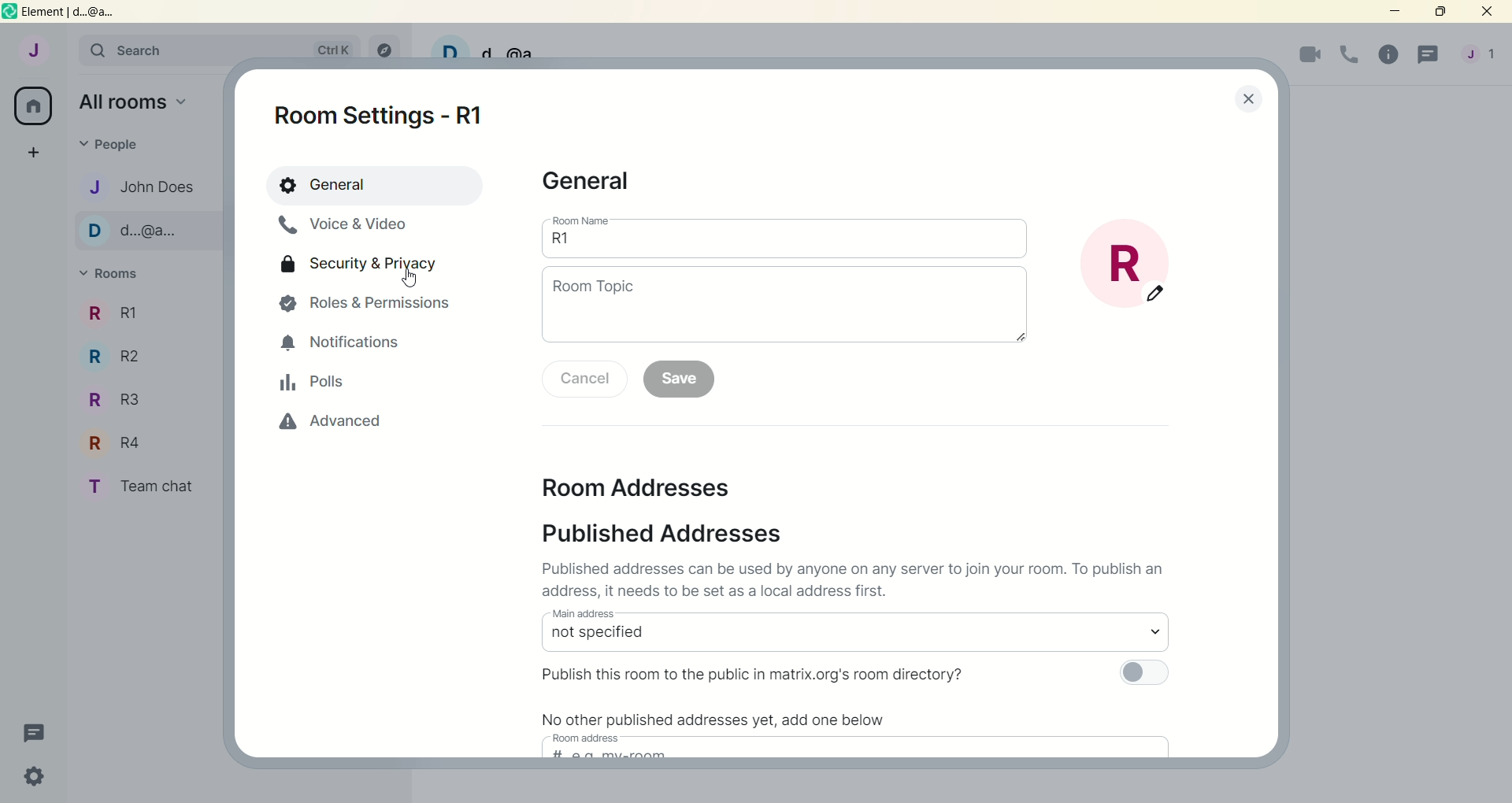  I want to click on rooms, so click(110, 274).